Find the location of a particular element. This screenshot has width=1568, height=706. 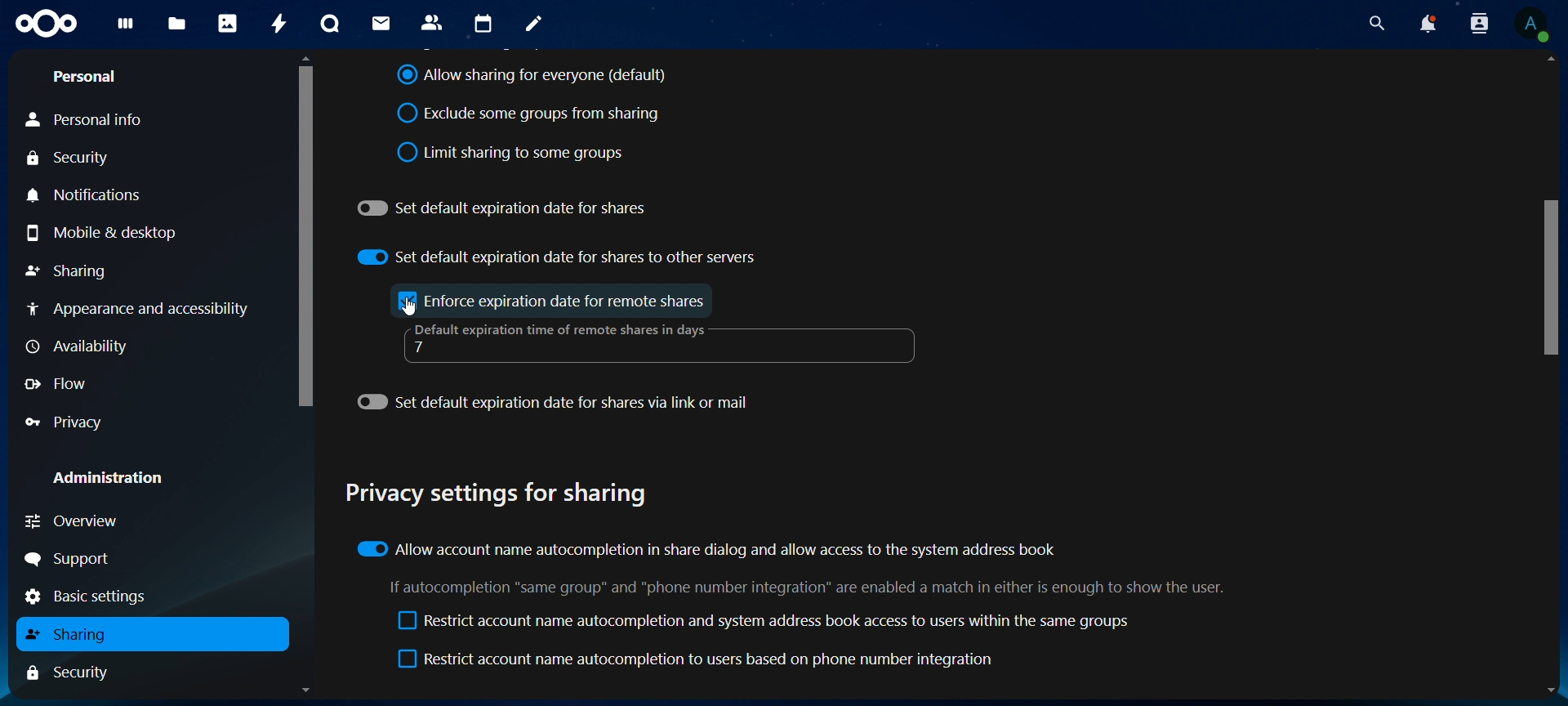

Privacy settings for sharing is located at coordinates (501, 496).